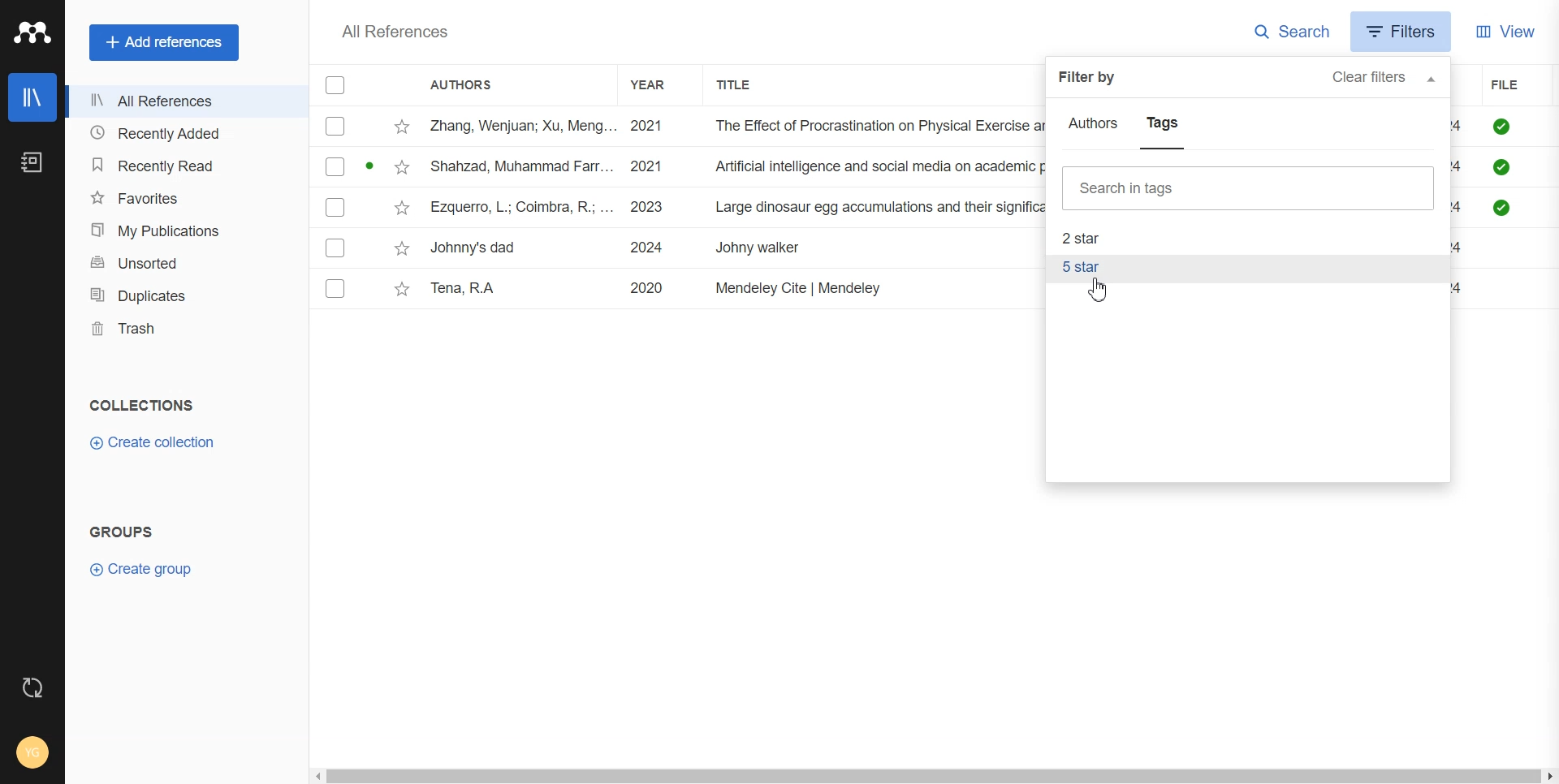 The width and height of the screenshot is (1559, 784). What do you see at coordinates (1549, 424) in the screenshot?
I see `Vertical scroll bar` at bounding box center [1549, 424].